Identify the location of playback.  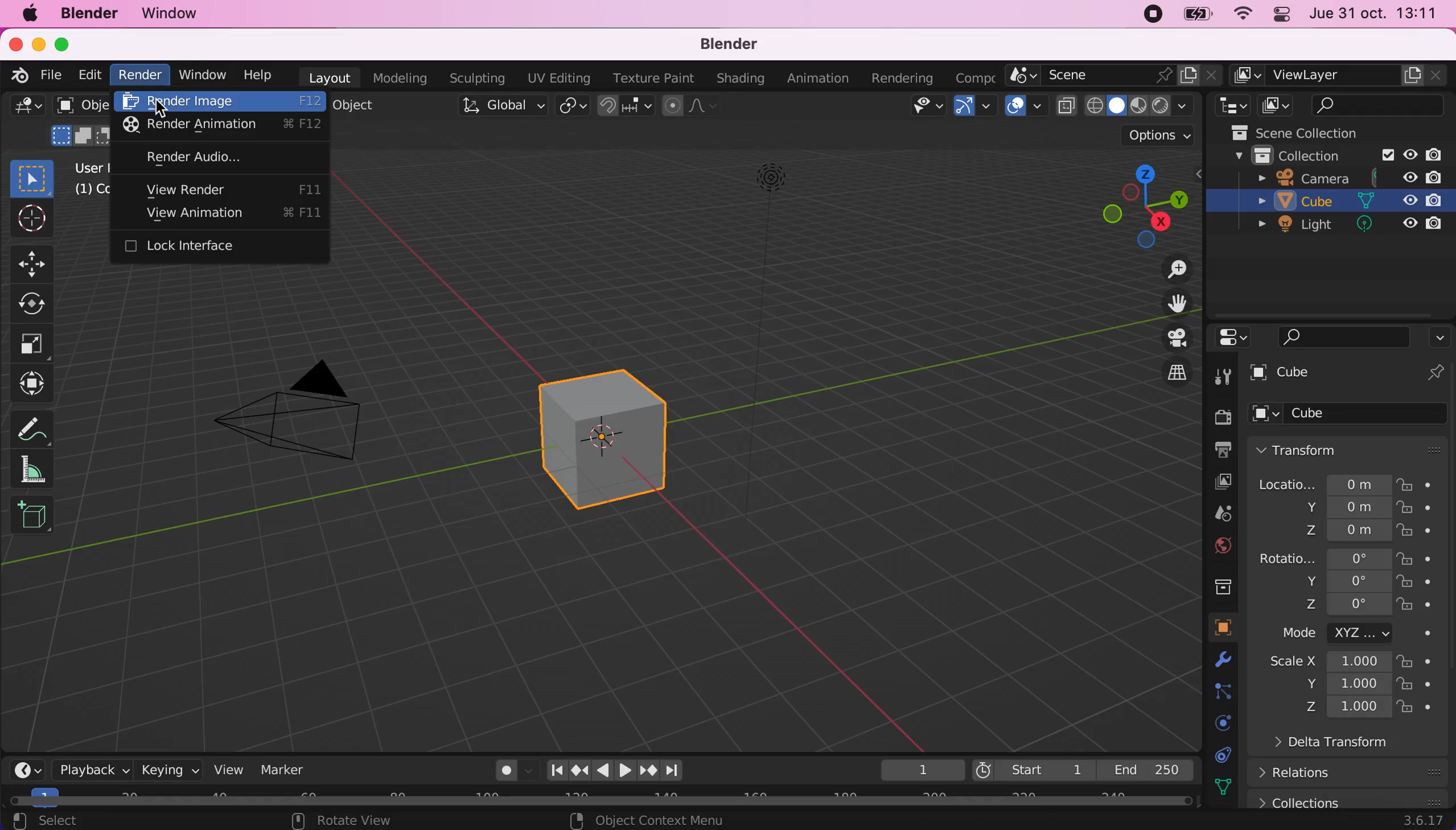
(91, 771).